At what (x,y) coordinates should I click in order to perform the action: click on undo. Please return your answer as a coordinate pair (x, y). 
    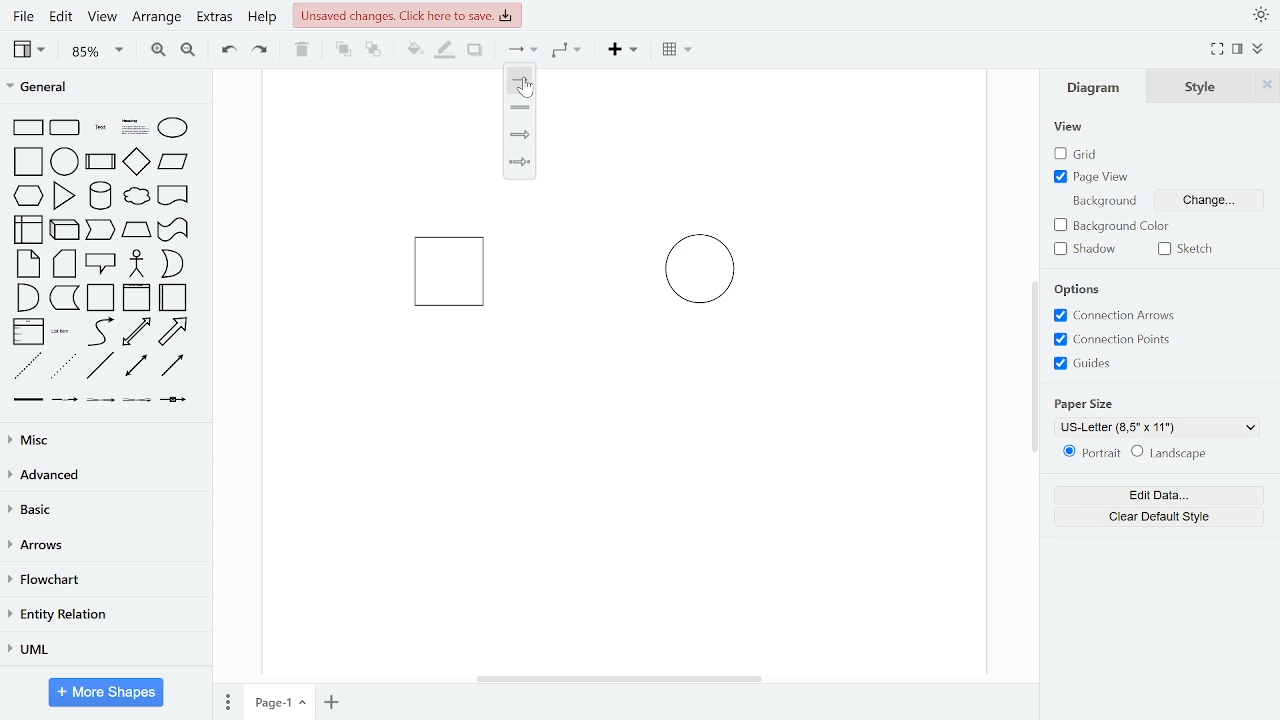
    Looking at the image, I should click on (224, 48).